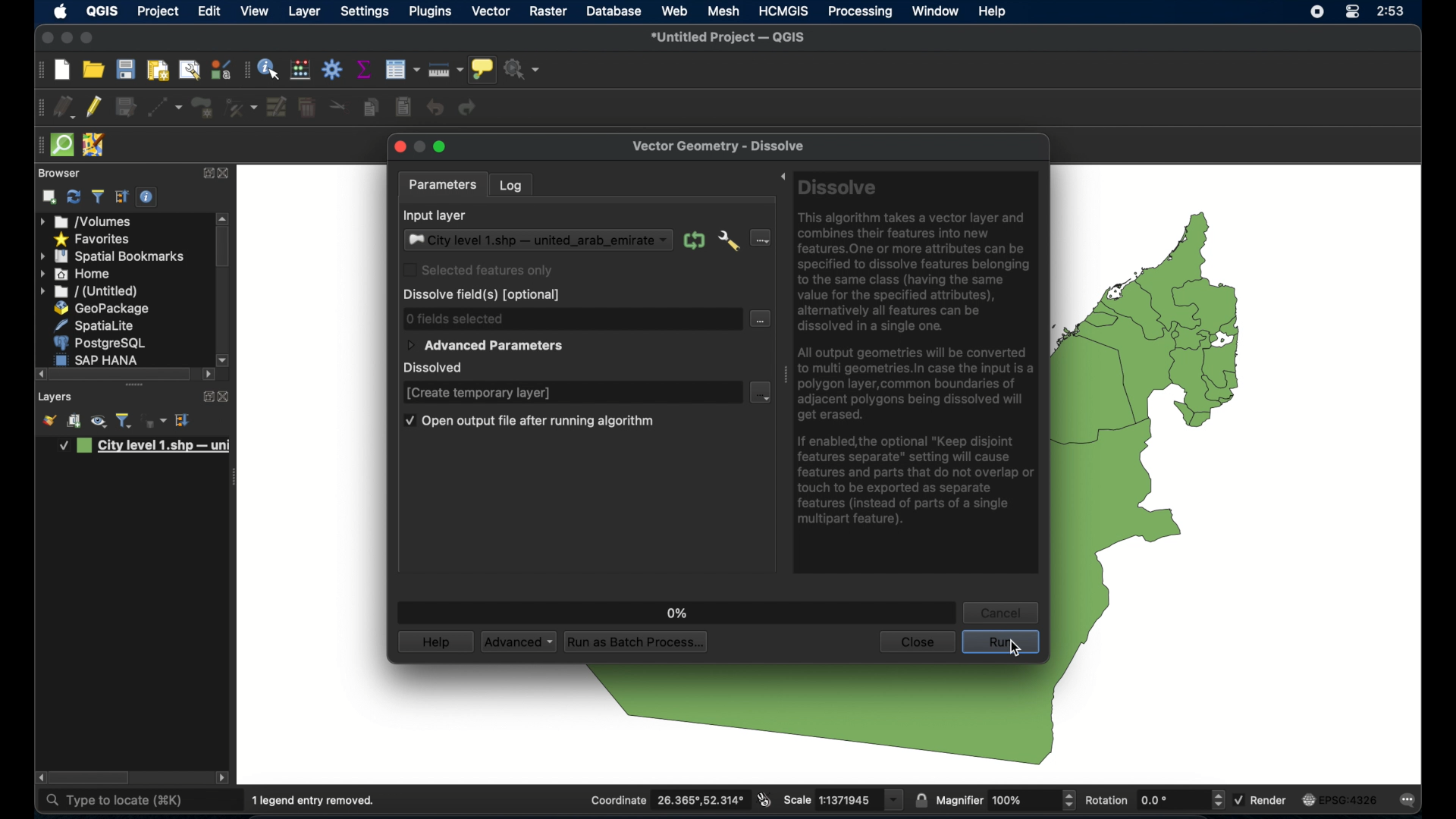  What do you see at coordinates (165, 108) in the screenshot?
I see `digitize with segment` at bounding box center [165, 108].